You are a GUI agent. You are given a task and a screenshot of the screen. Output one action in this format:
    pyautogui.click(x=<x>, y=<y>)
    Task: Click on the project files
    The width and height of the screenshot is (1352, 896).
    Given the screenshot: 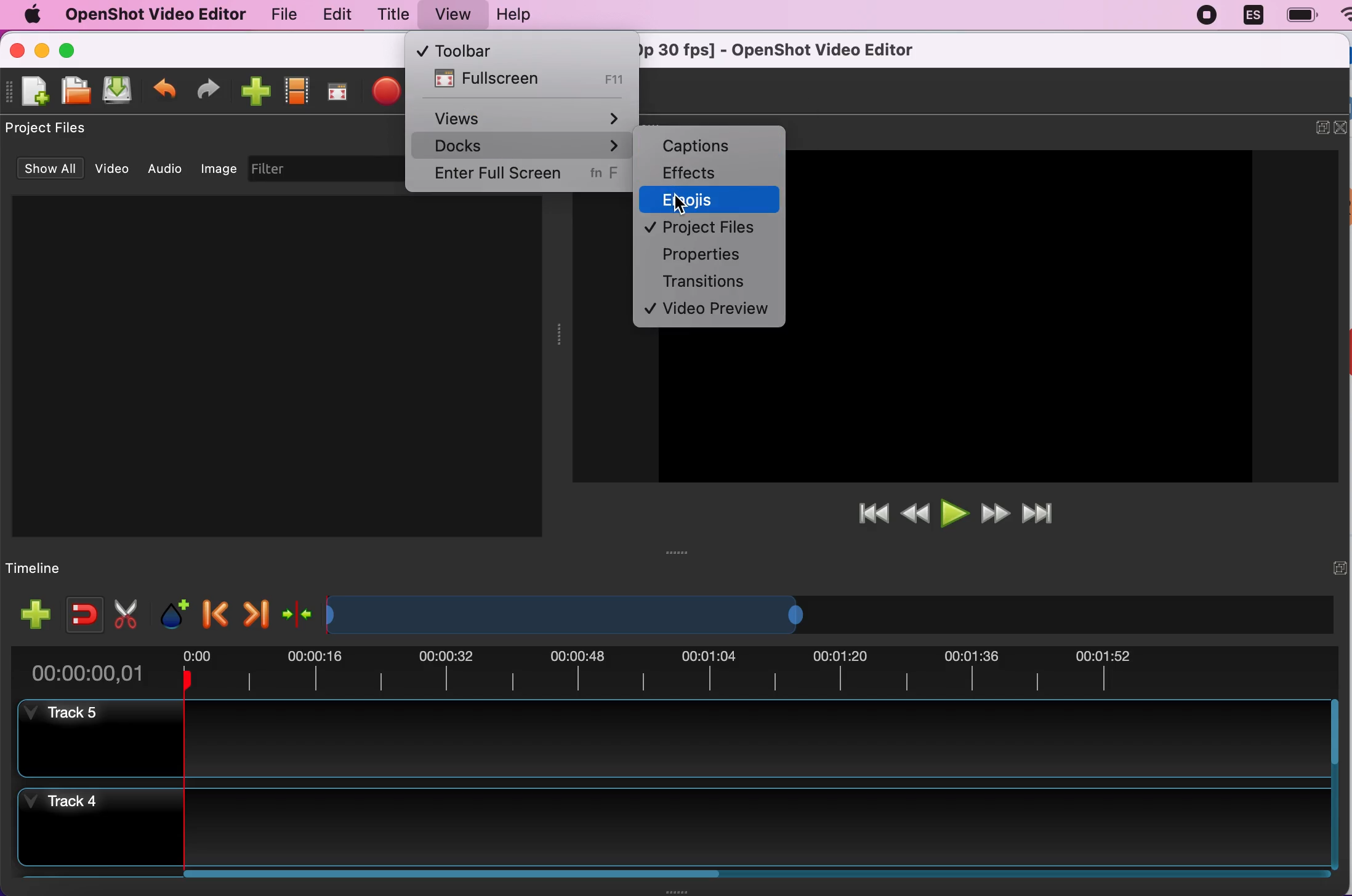 What is the action you would take?
    pyautogui.click(x=712, y=227)
    